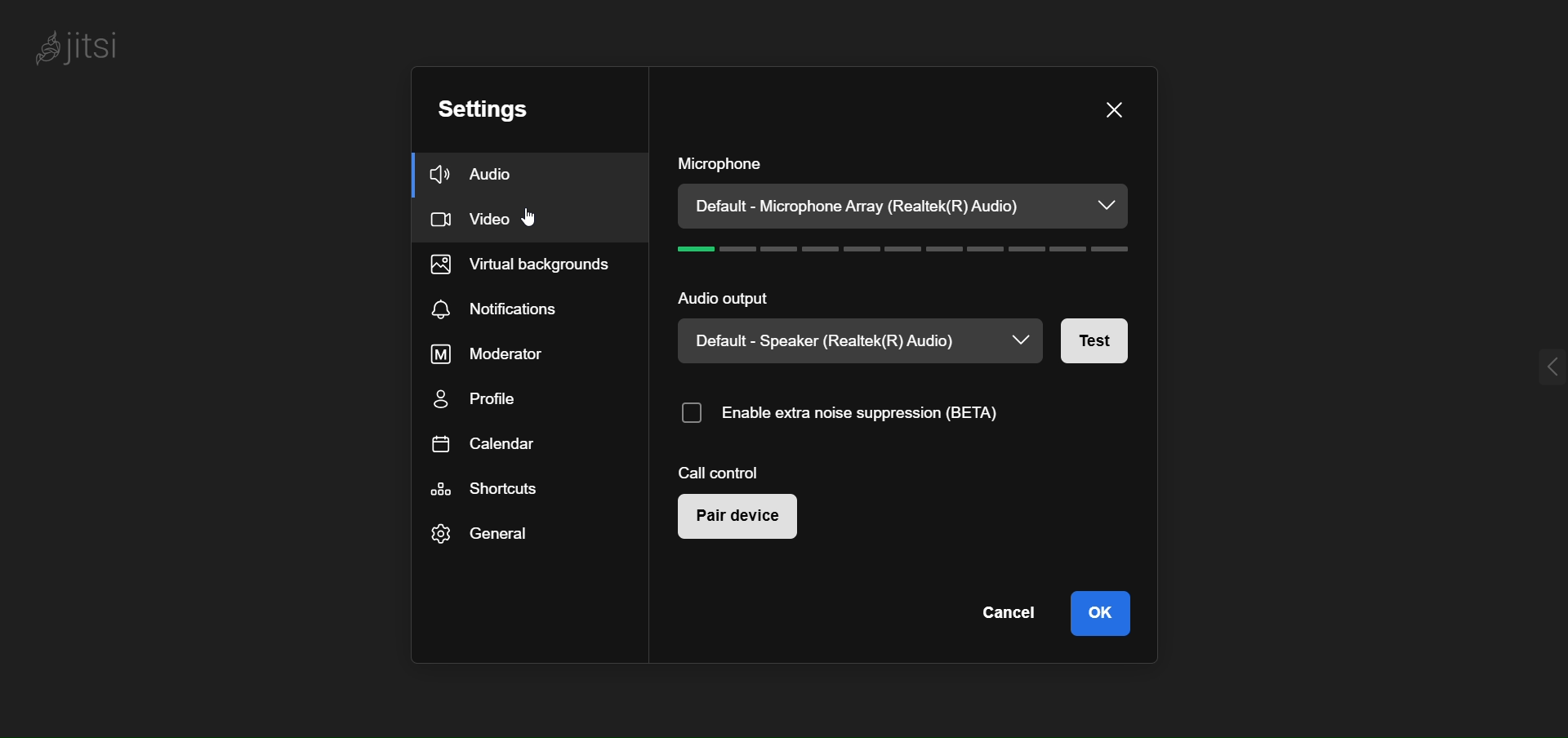 The image size is (1568, 738). Describe the element at coordinates (481, 536) in the screenshot. I see `general` at that location.